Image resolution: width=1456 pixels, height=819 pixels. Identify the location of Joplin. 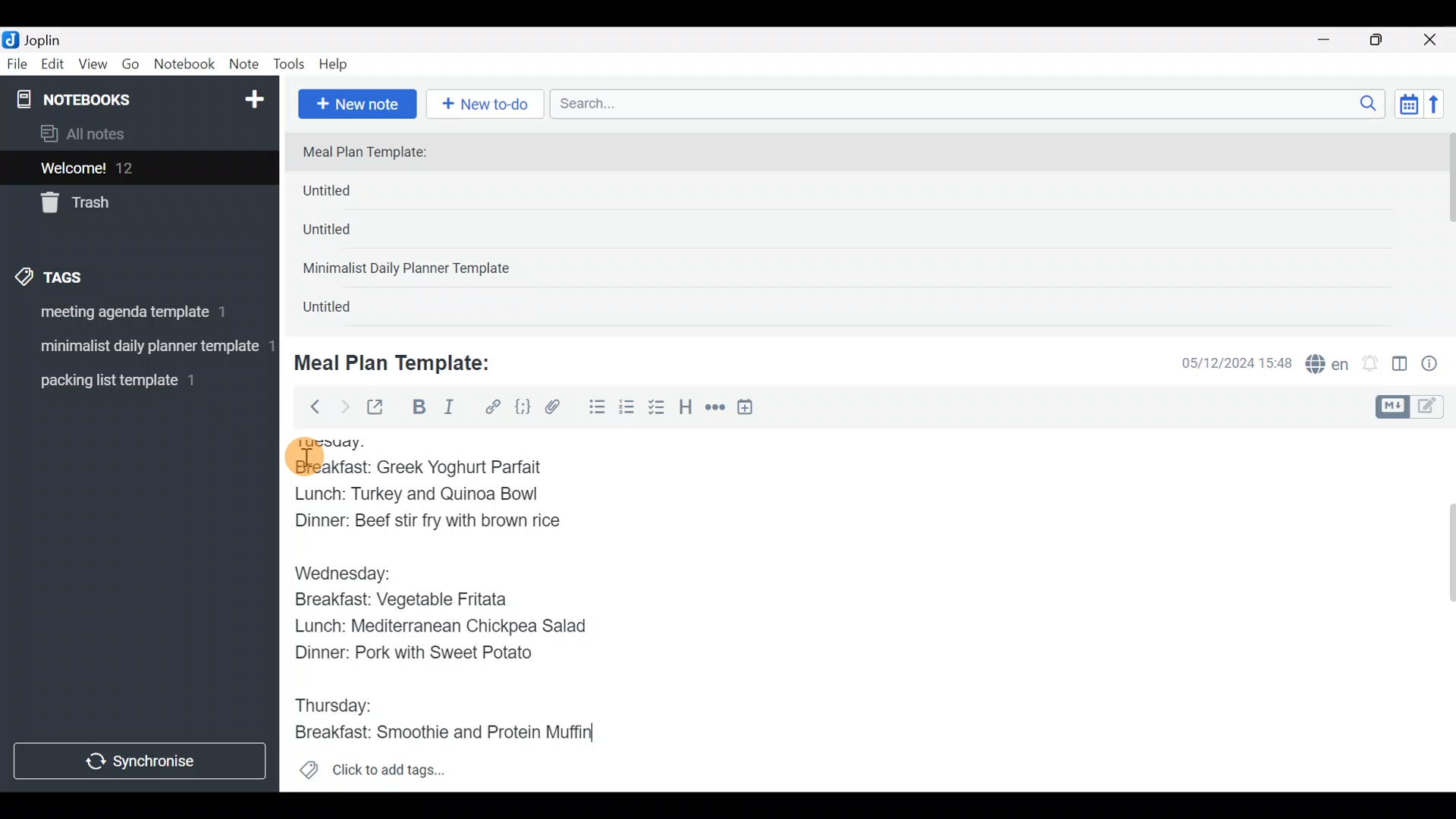
(52, 38).